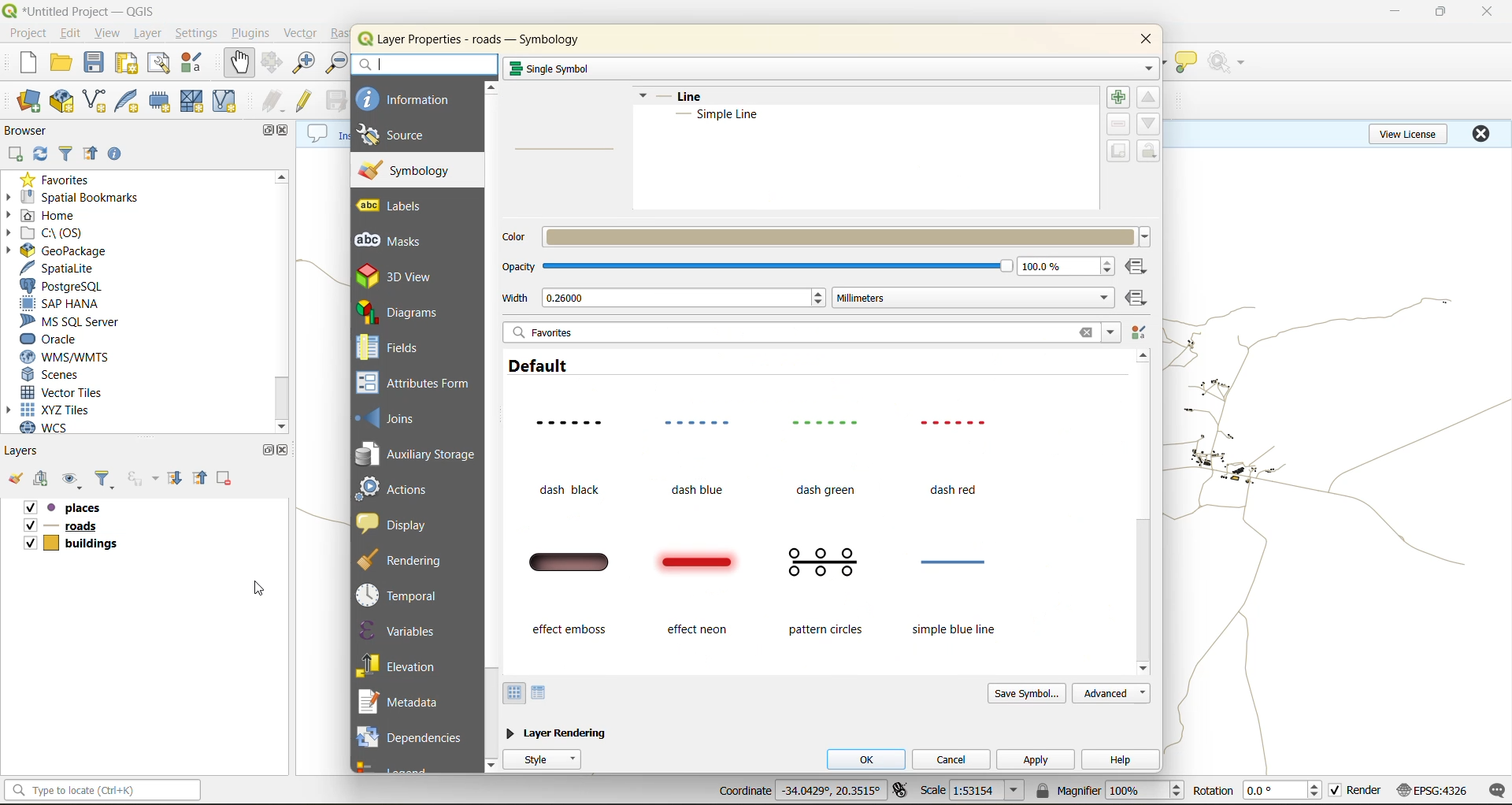  What do you see at coordinates (39, 480) in the screenshot?
I see `add` at bounding box center [39, 480].